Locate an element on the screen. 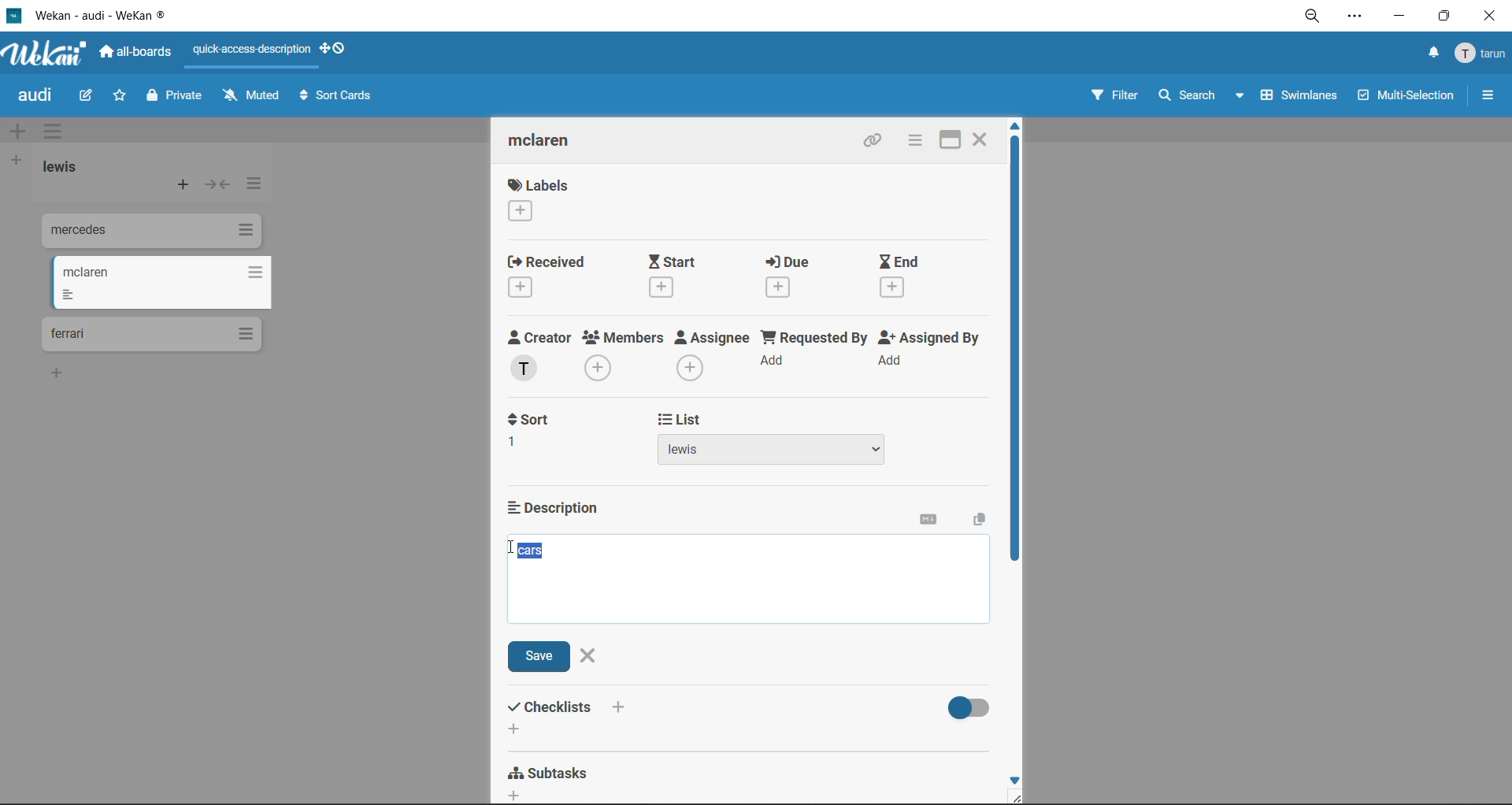 This screenshot has width=1512, height=805. end is located at coordinates (915, 278).